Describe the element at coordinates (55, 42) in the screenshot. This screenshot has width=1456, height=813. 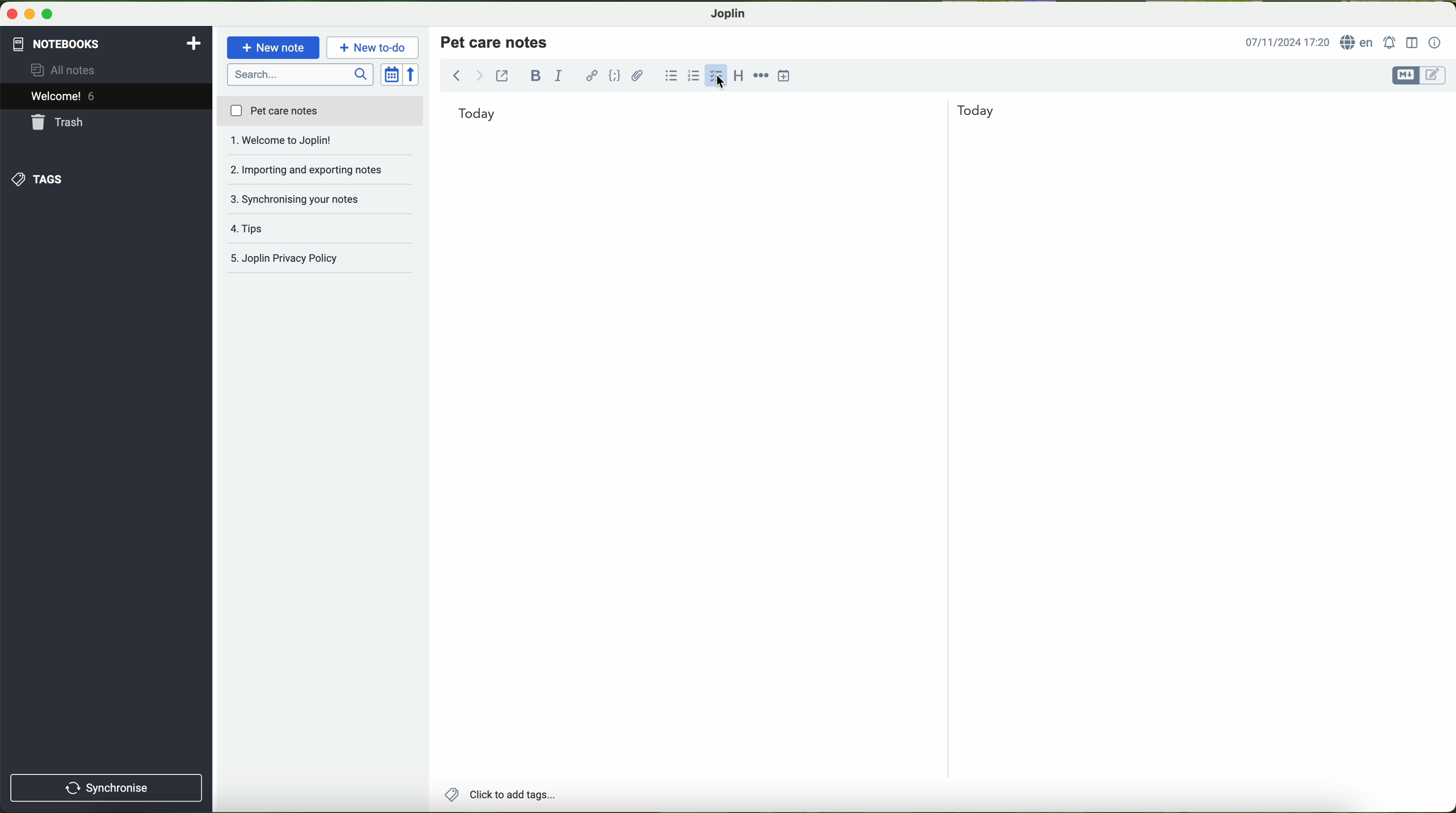
I see `notebooks` at that location.